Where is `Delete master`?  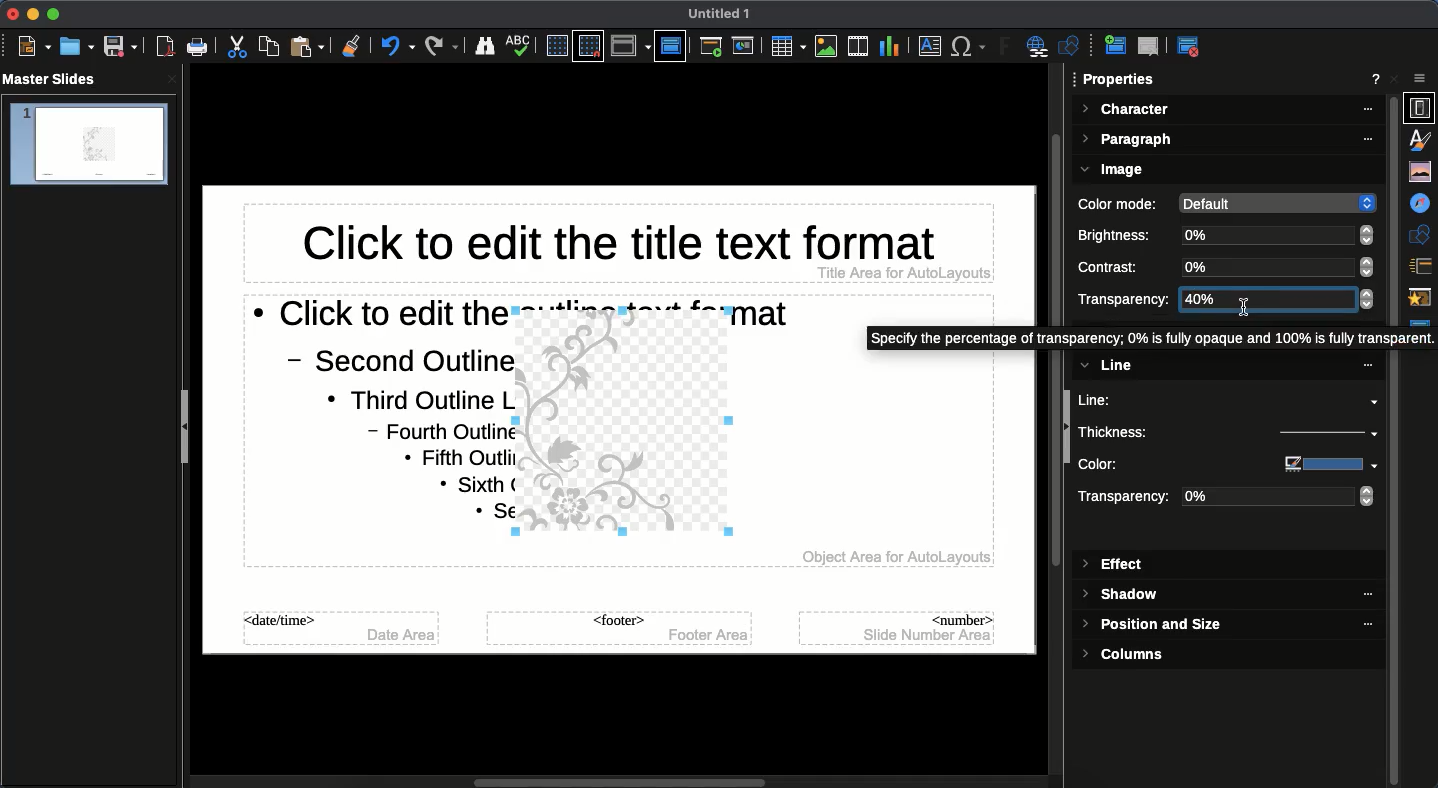
Delete master is located at coordinates (1149, 46).